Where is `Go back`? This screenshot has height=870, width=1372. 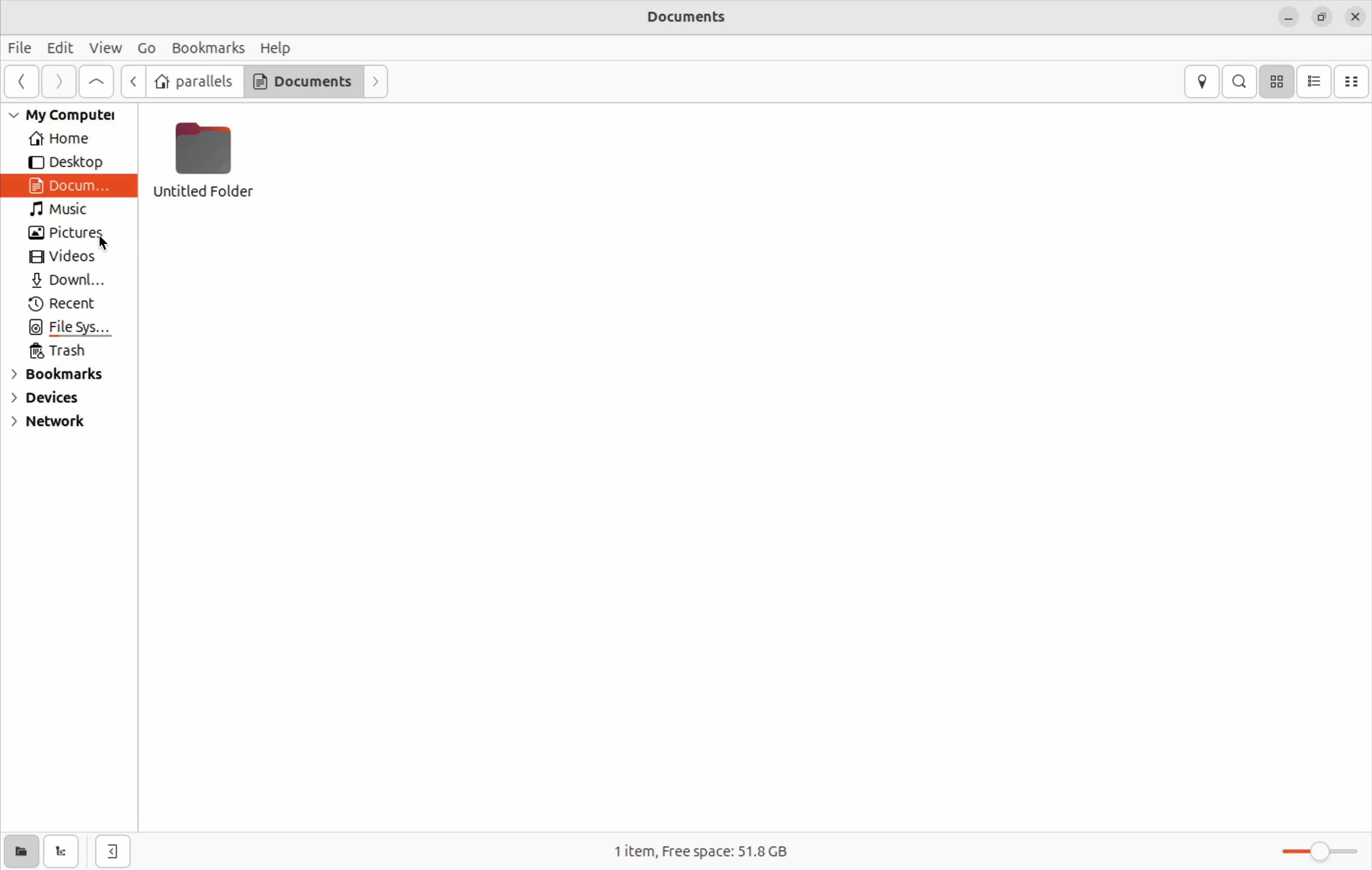 Go back is located at coordinates (132, 81).